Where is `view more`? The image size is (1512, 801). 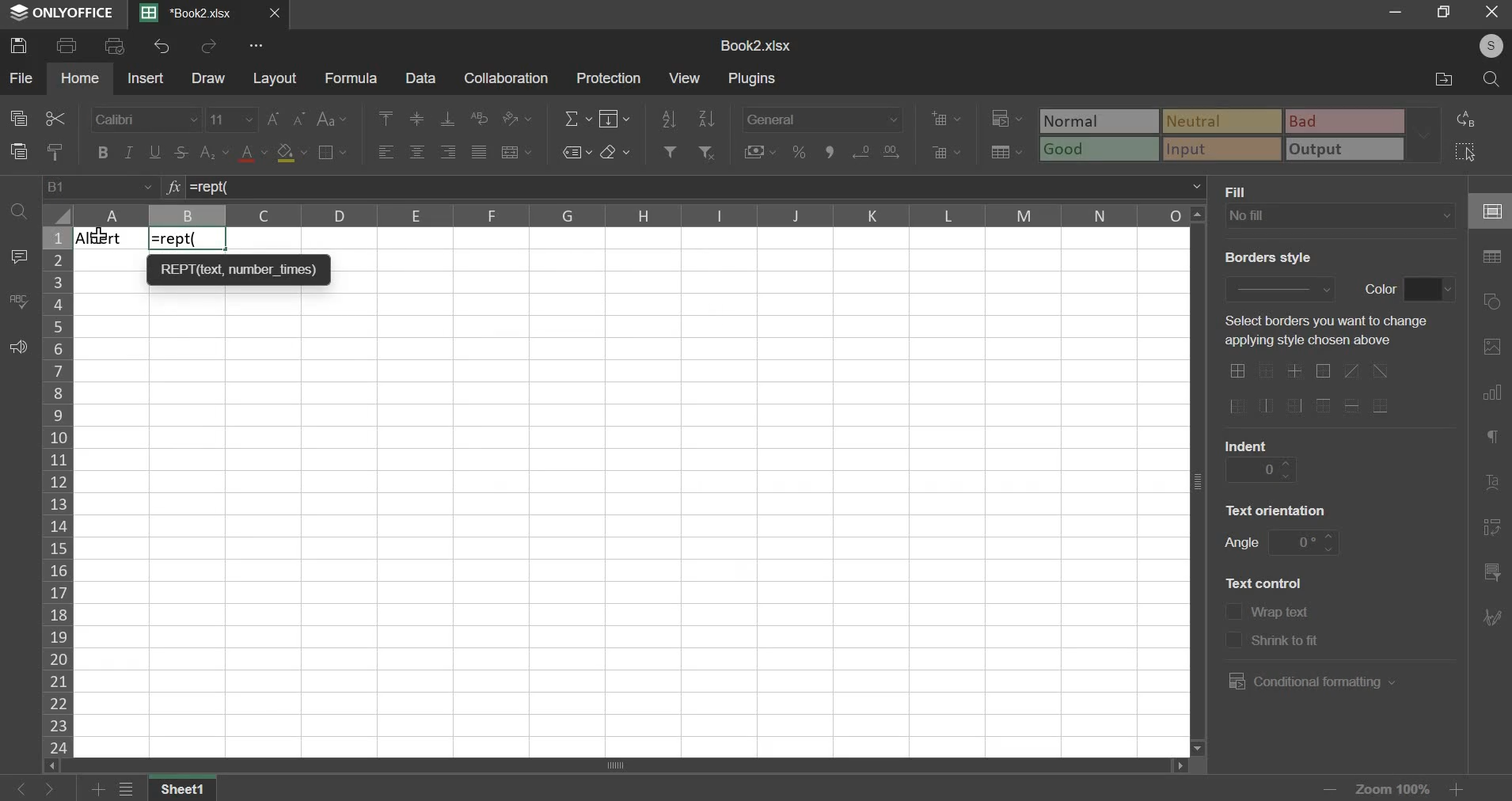
view more is located at coordinates (257, 45).